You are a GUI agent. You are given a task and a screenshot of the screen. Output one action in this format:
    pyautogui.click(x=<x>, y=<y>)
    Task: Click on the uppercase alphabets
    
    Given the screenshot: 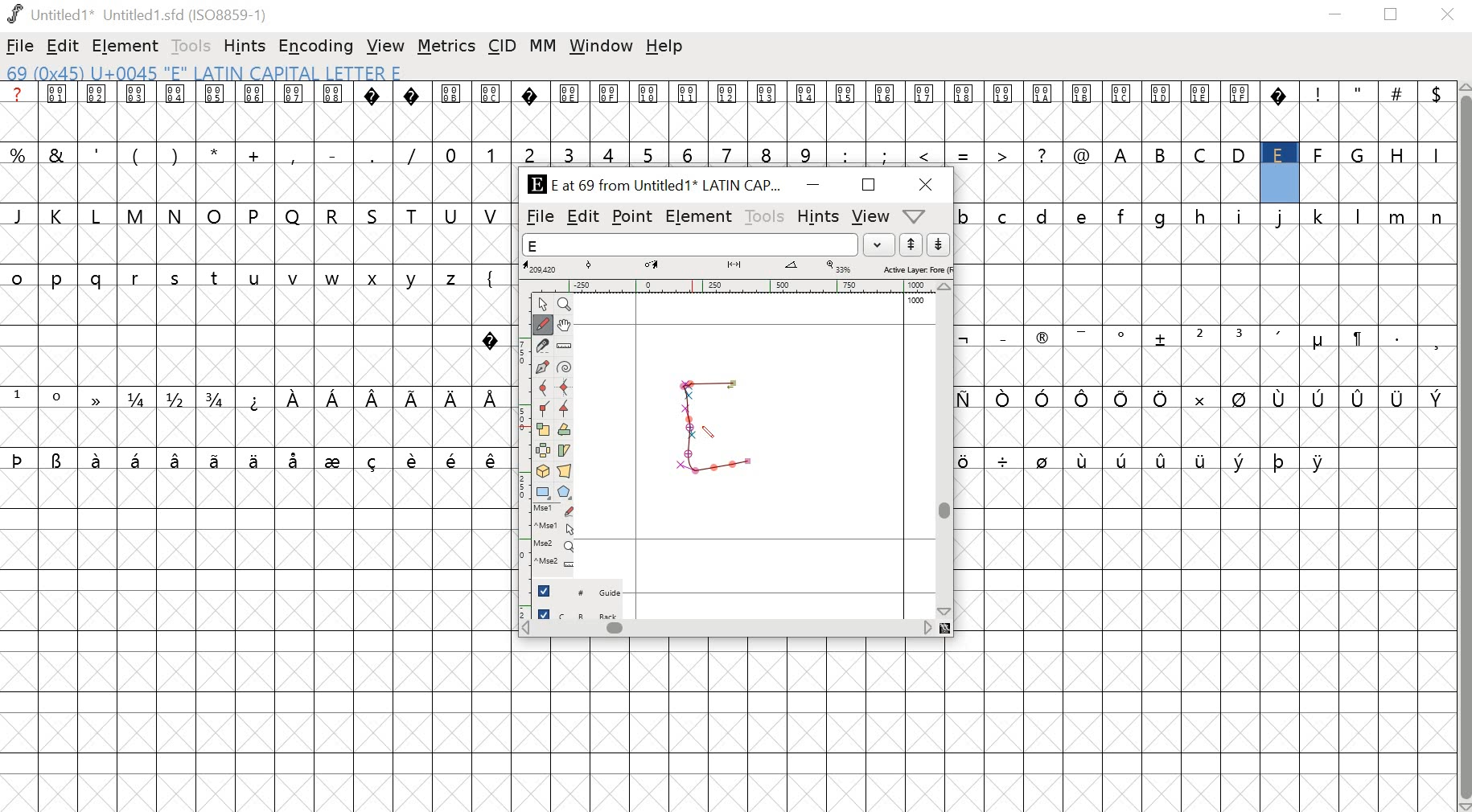 What is the action you would take?
    pyautogui.click(x=254, y=215)
    